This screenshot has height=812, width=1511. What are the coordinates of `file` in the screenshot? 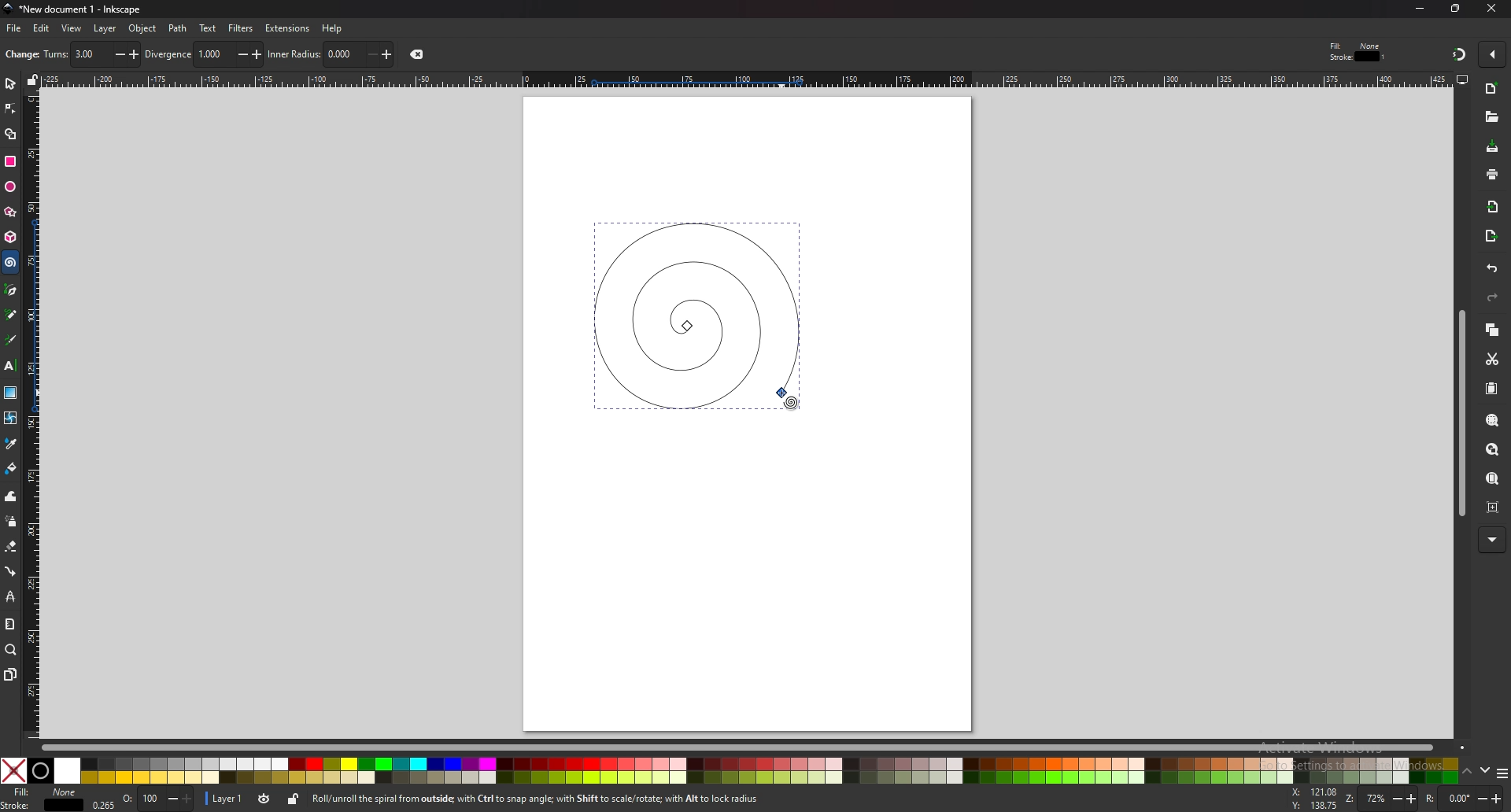 It's located at (14, 29).